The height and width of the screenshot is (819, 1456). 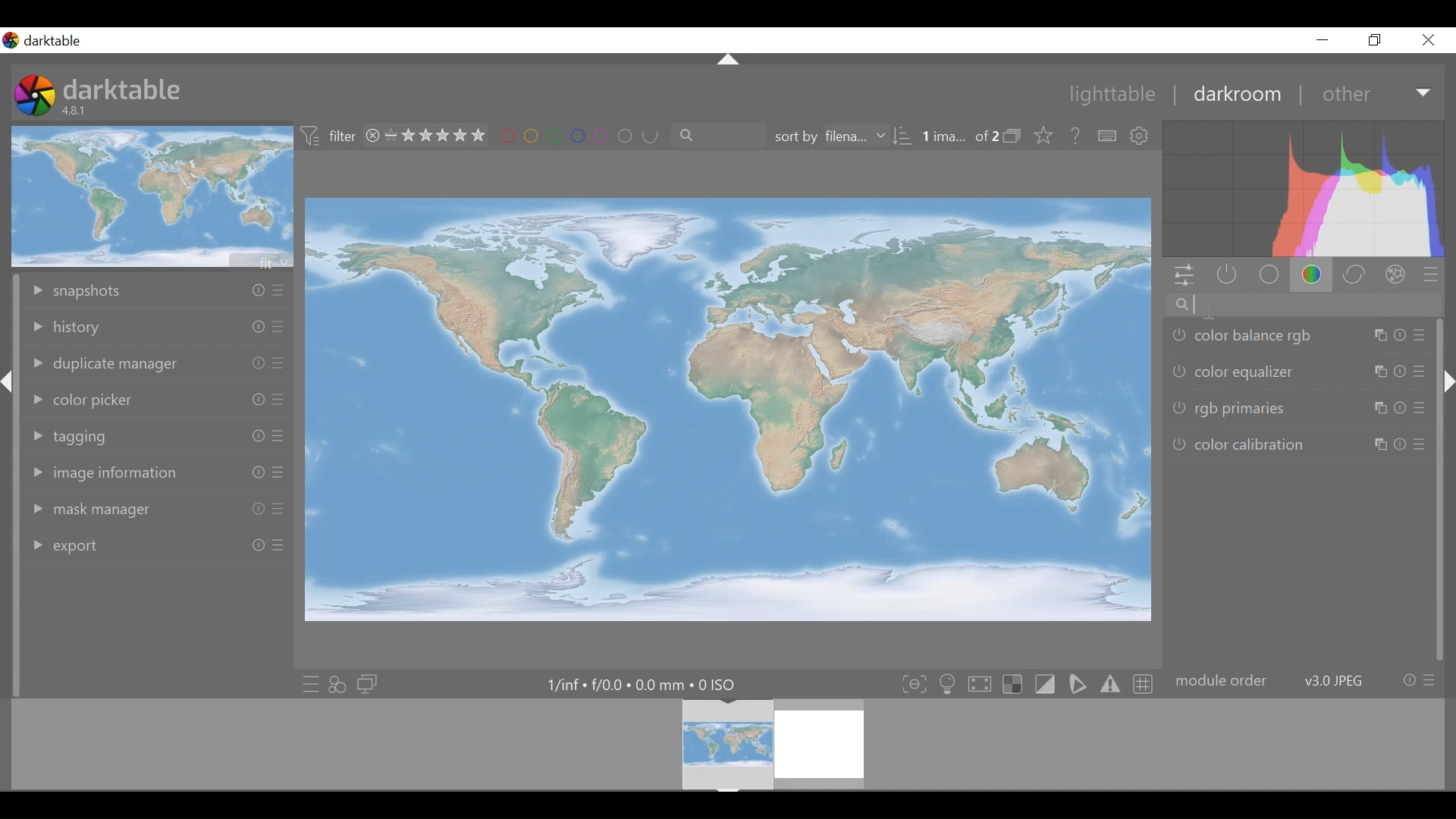 What do you see at coordinates (1298, 444) in the screenshot?
I see `color calibration` at bounding box center [1298, 444].